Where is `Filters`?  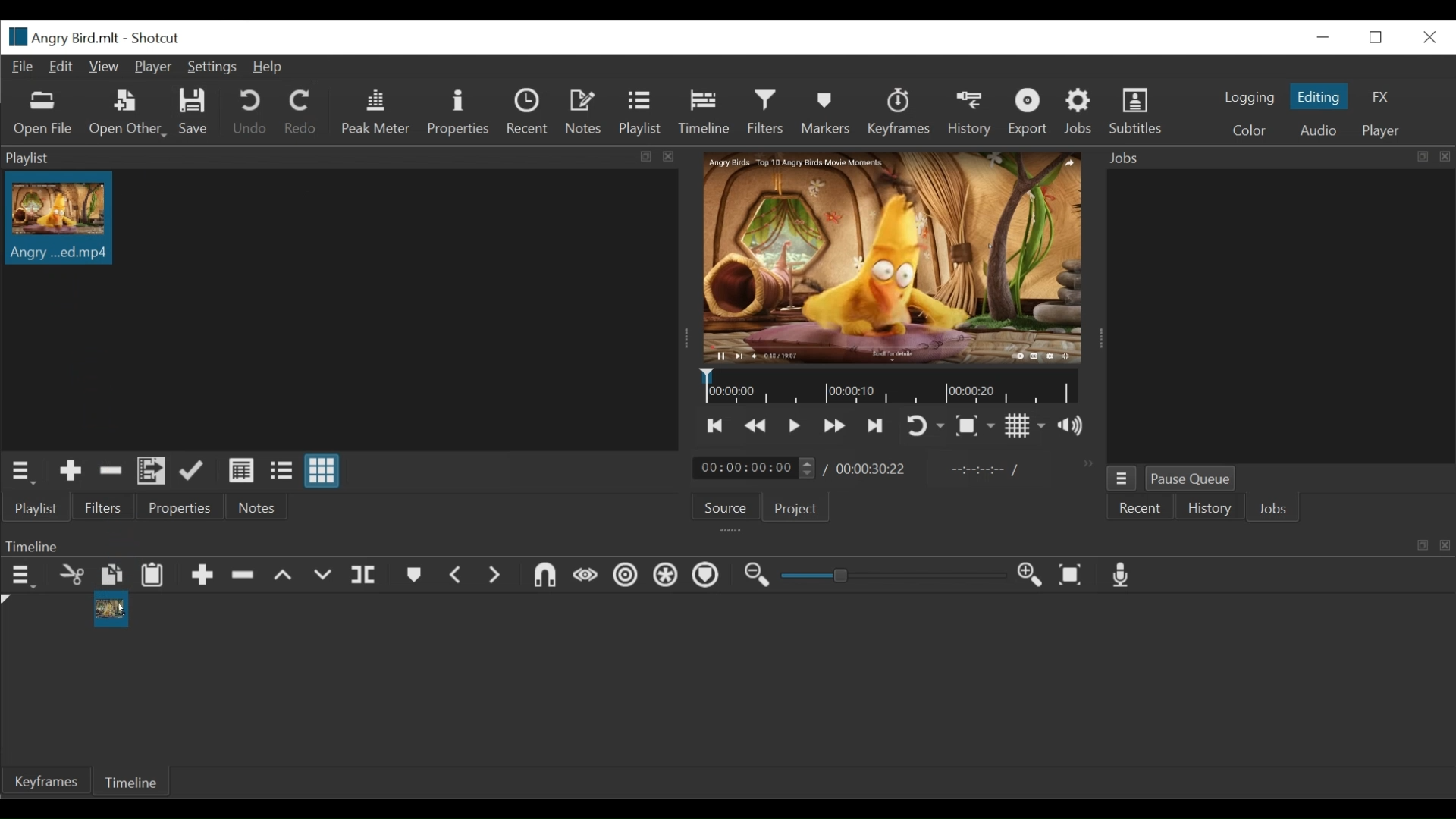 Filters is located at coordinates (102, 507).